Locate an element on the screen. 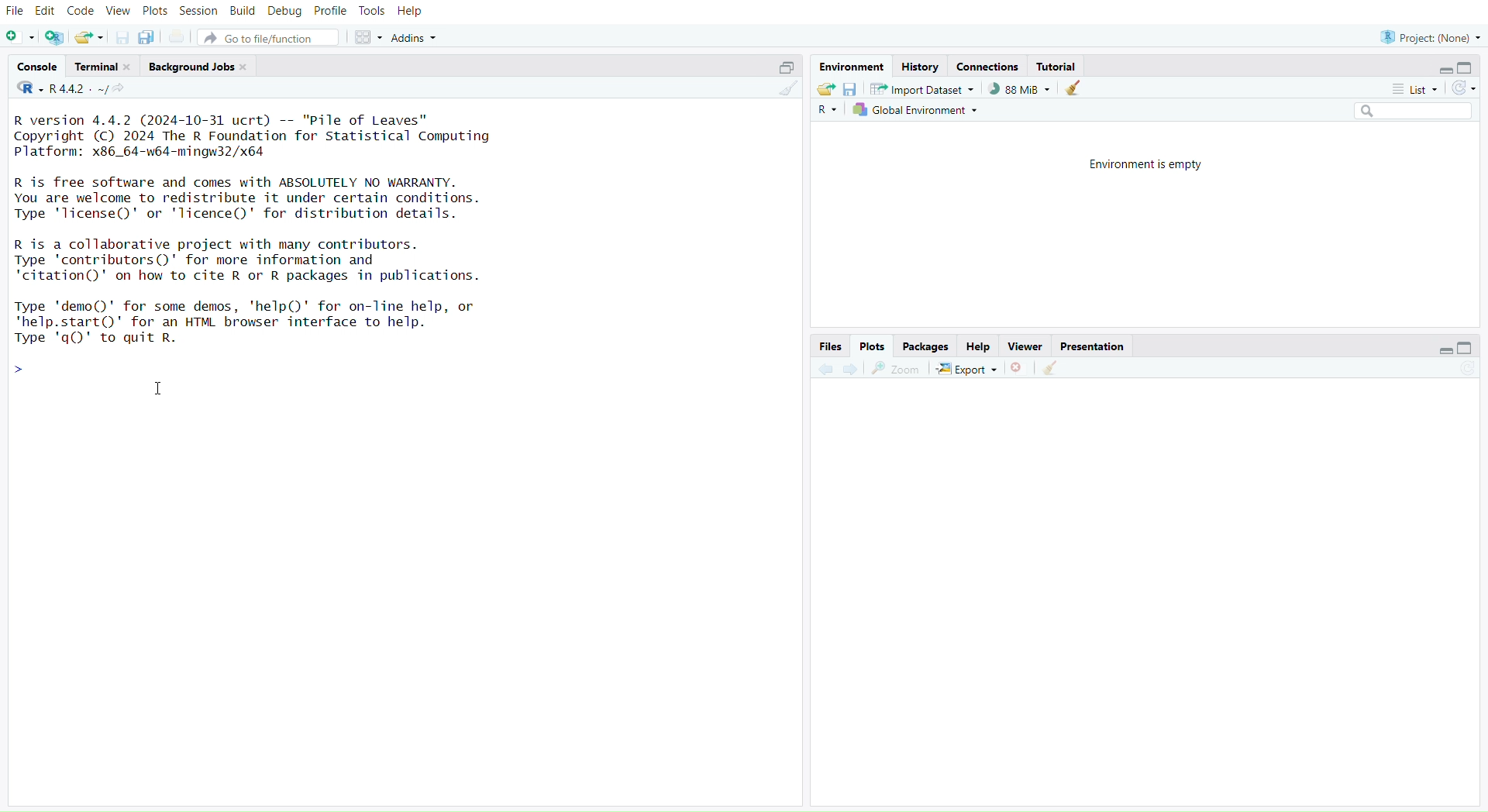 The image size is (1488, 812). profile is located at coordinates (331, 12).